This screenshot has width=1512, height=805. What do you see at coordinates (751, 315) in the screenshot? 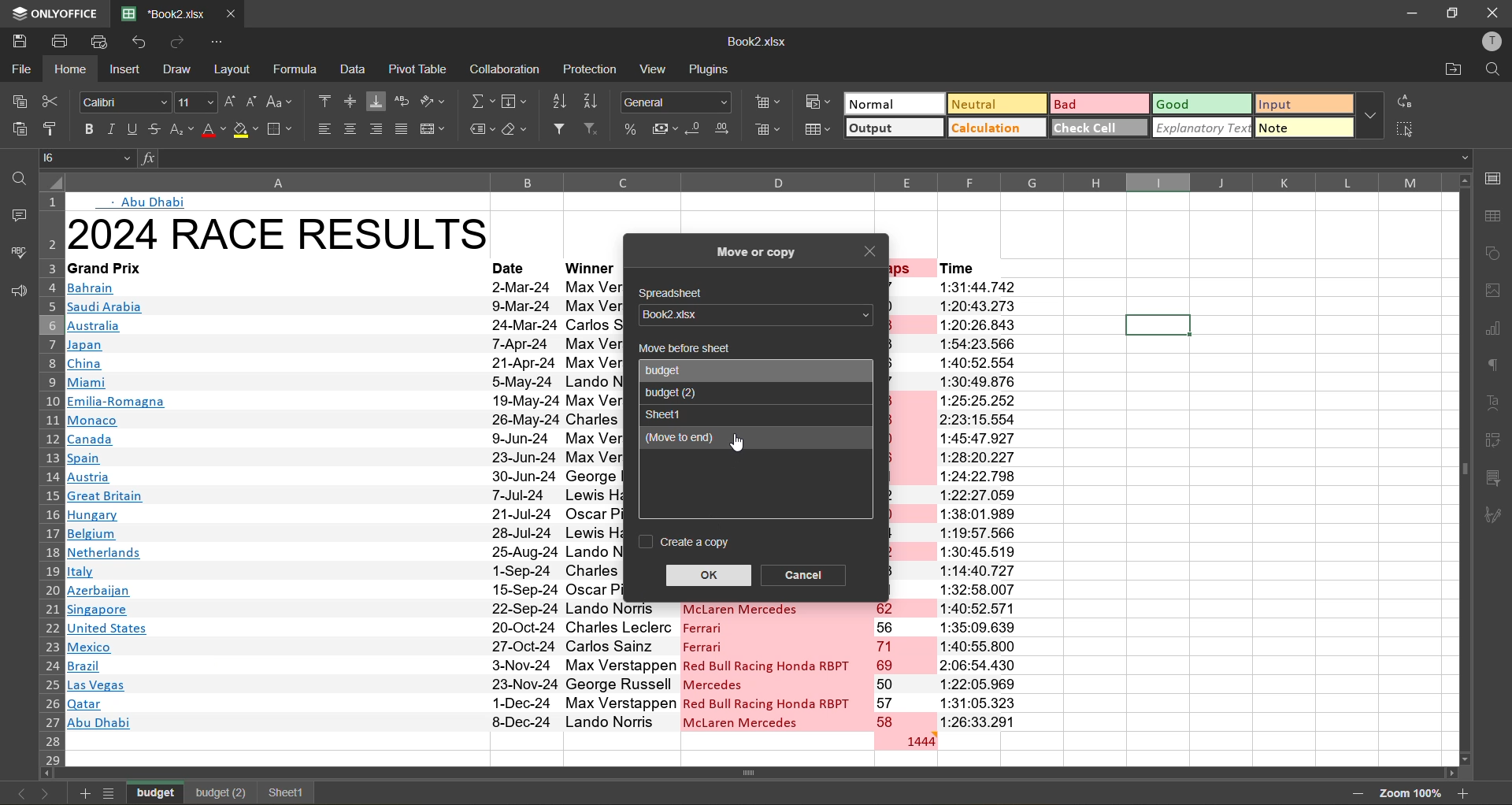
I see `spreadsheet name` at bounding box center [751, 315].